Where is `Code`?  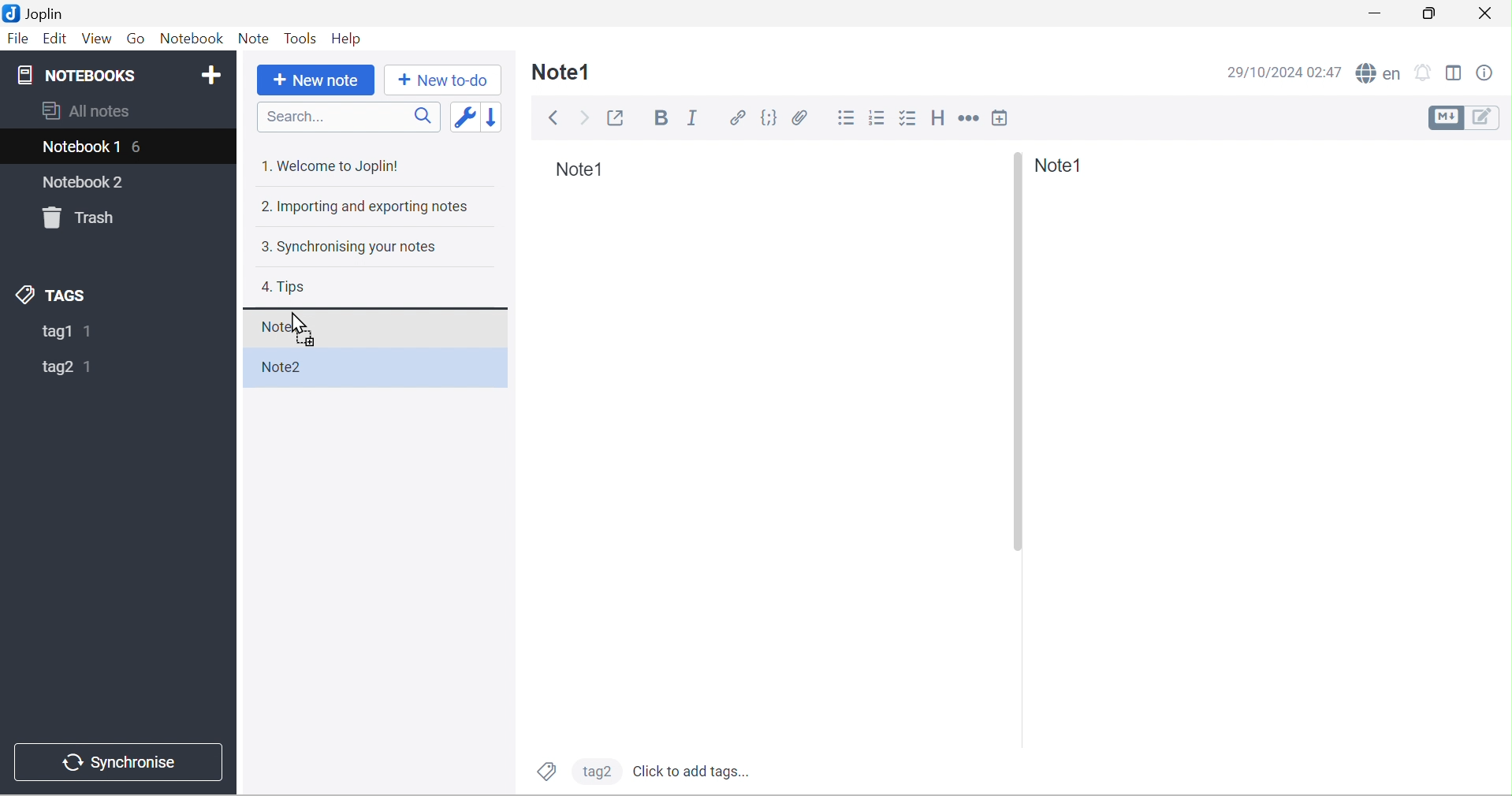
Code is located at coordinates (769, 117).